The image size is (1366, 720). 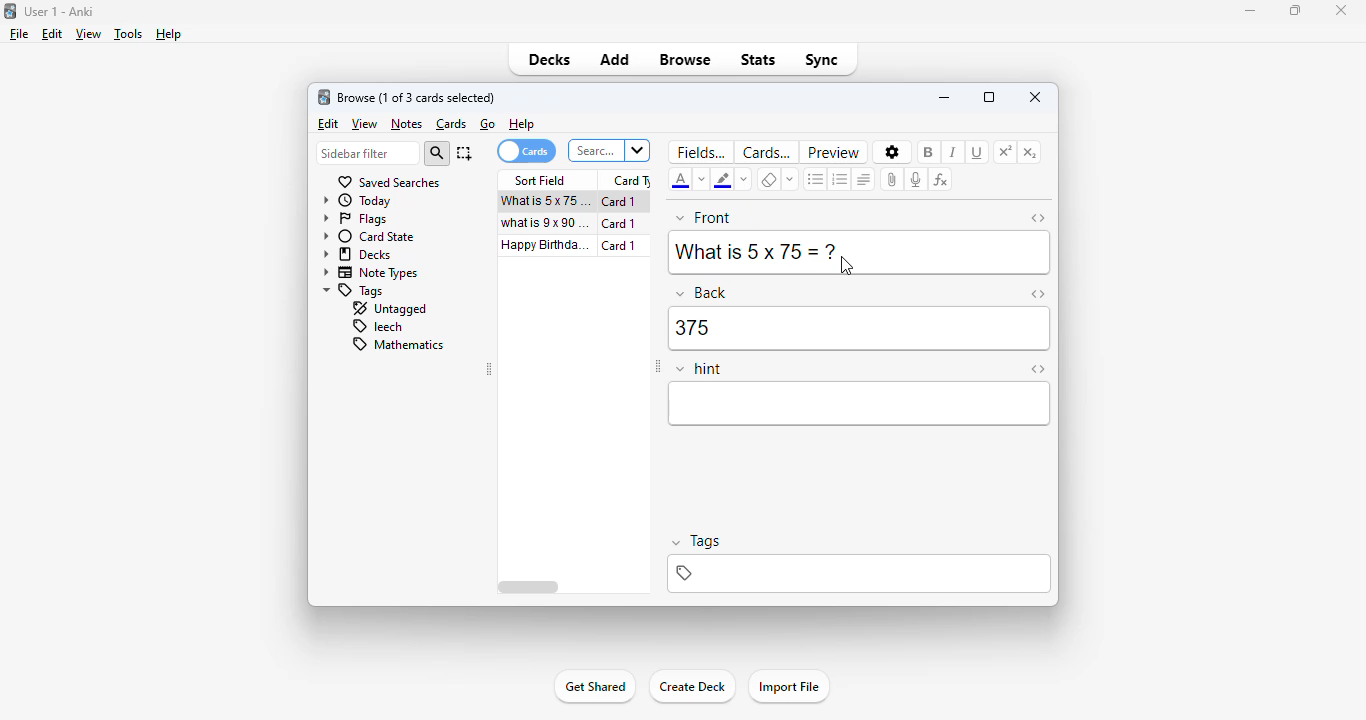 What do you see at coordinates (692, 687) in the screenshot?
I see `create deck` at bounding box center [692, 687].